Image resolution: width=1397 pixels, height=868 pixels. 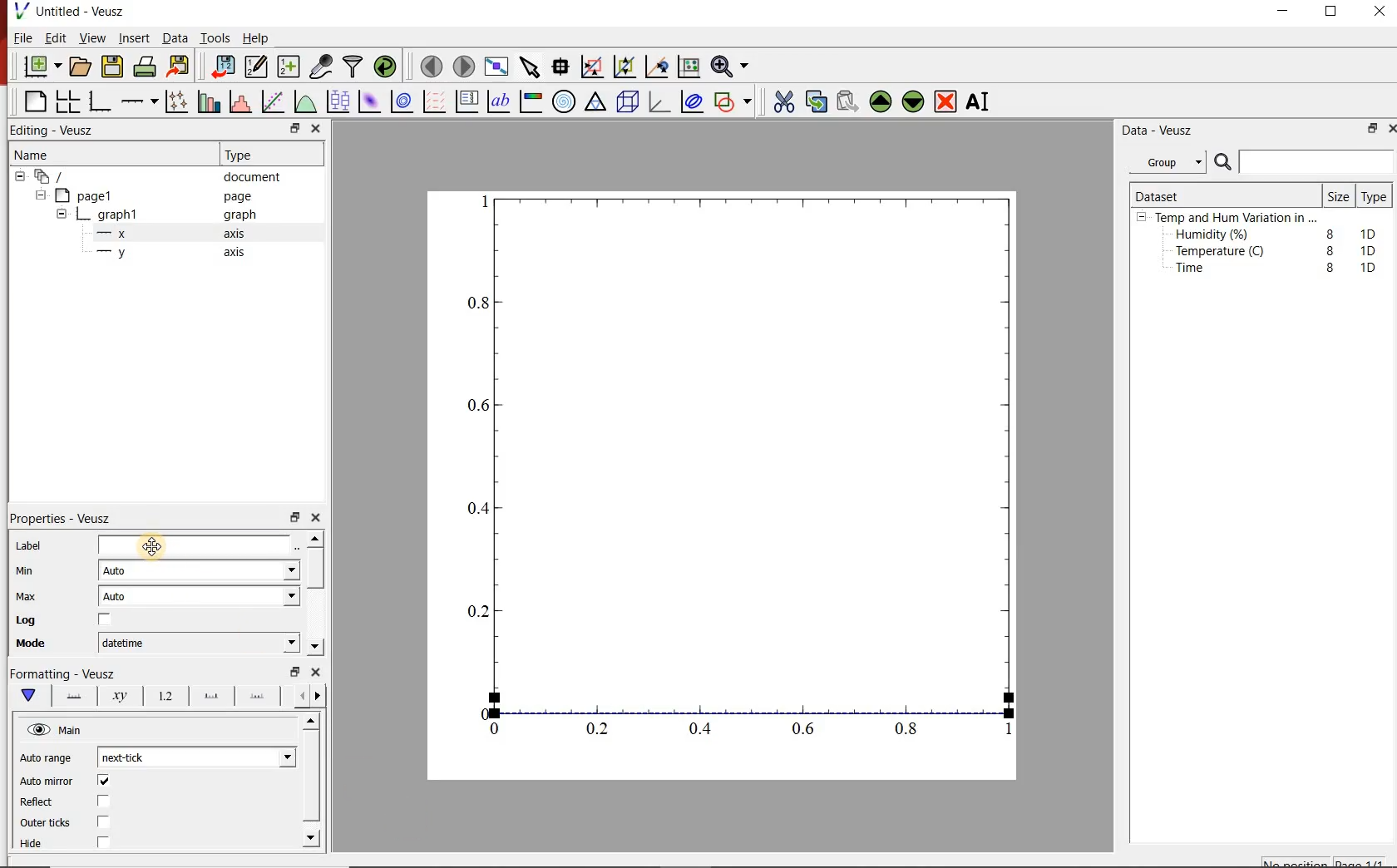 What do you see at coordinates (318, 591) in the screenshot?
I see `scroll bar` at bounding box center [318, 591].